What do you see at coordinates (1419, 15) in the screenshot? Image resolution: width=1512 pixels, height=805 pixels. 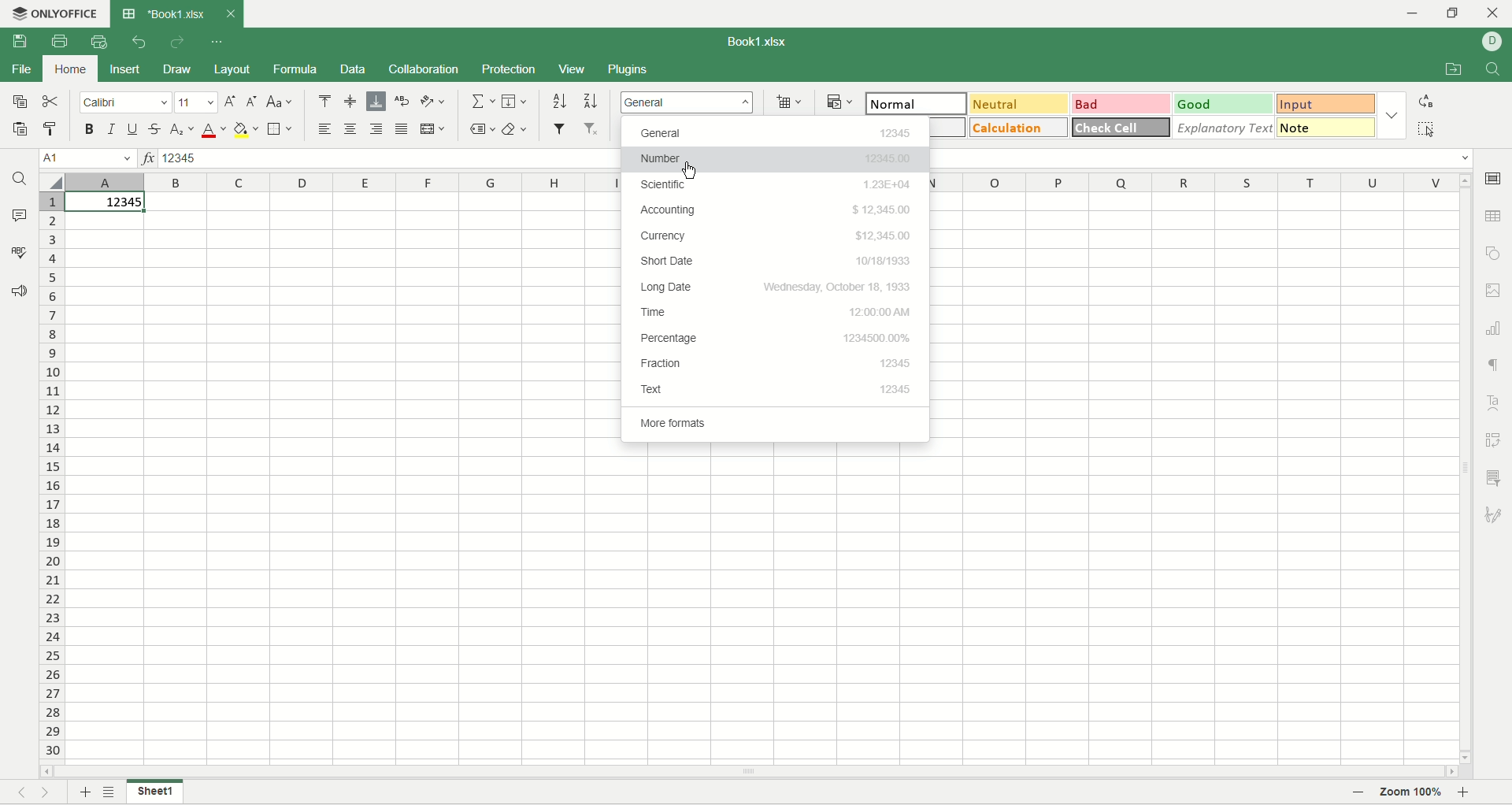 I see `minimize` at bounding box center [1419, 15].